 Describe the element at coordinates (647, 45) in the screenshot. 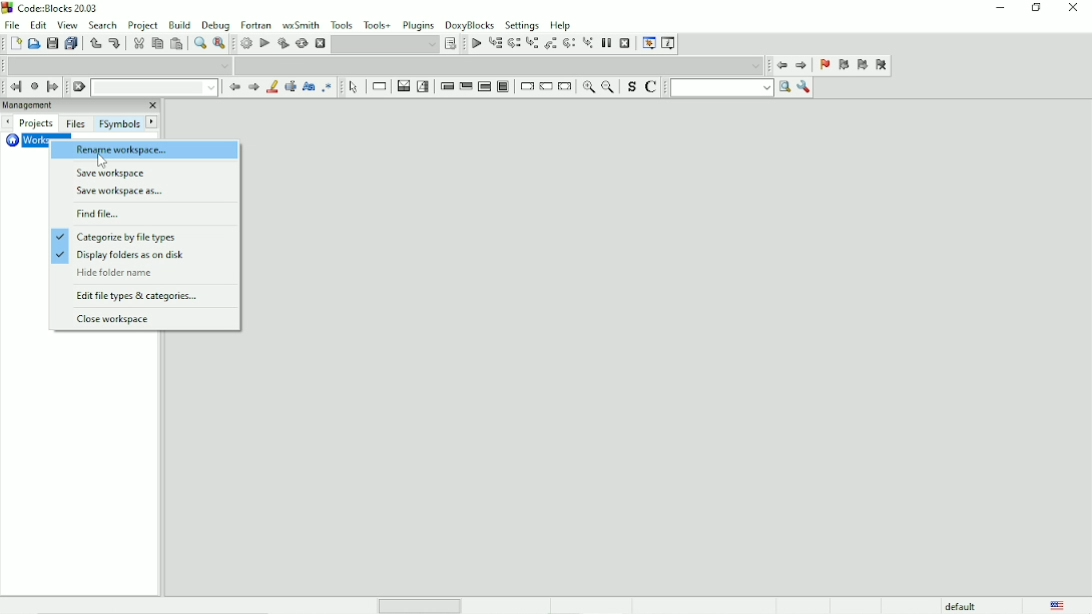

I see `Debugging windows` at that location.